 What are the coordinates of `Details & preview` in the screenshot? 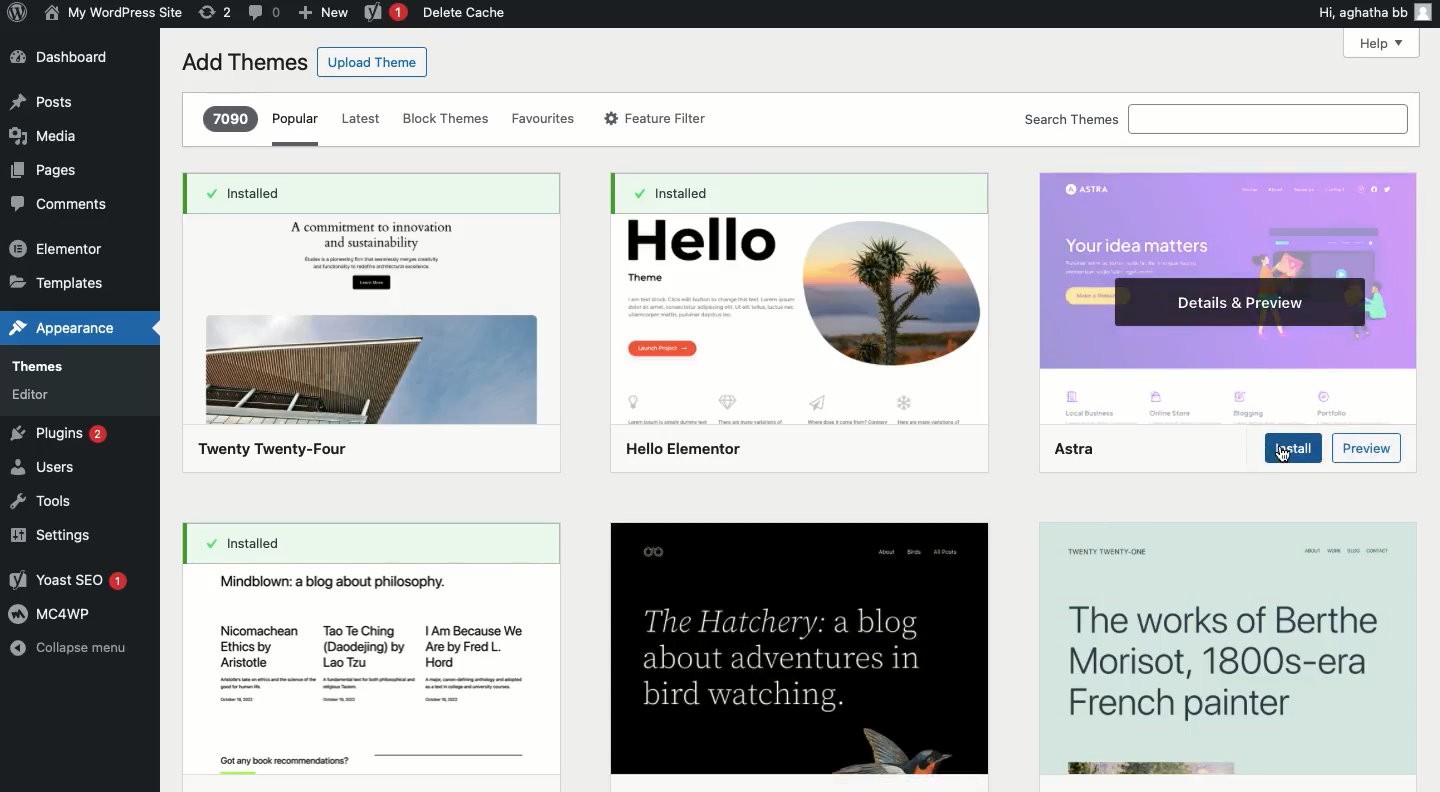 It's located at (1239, 303).